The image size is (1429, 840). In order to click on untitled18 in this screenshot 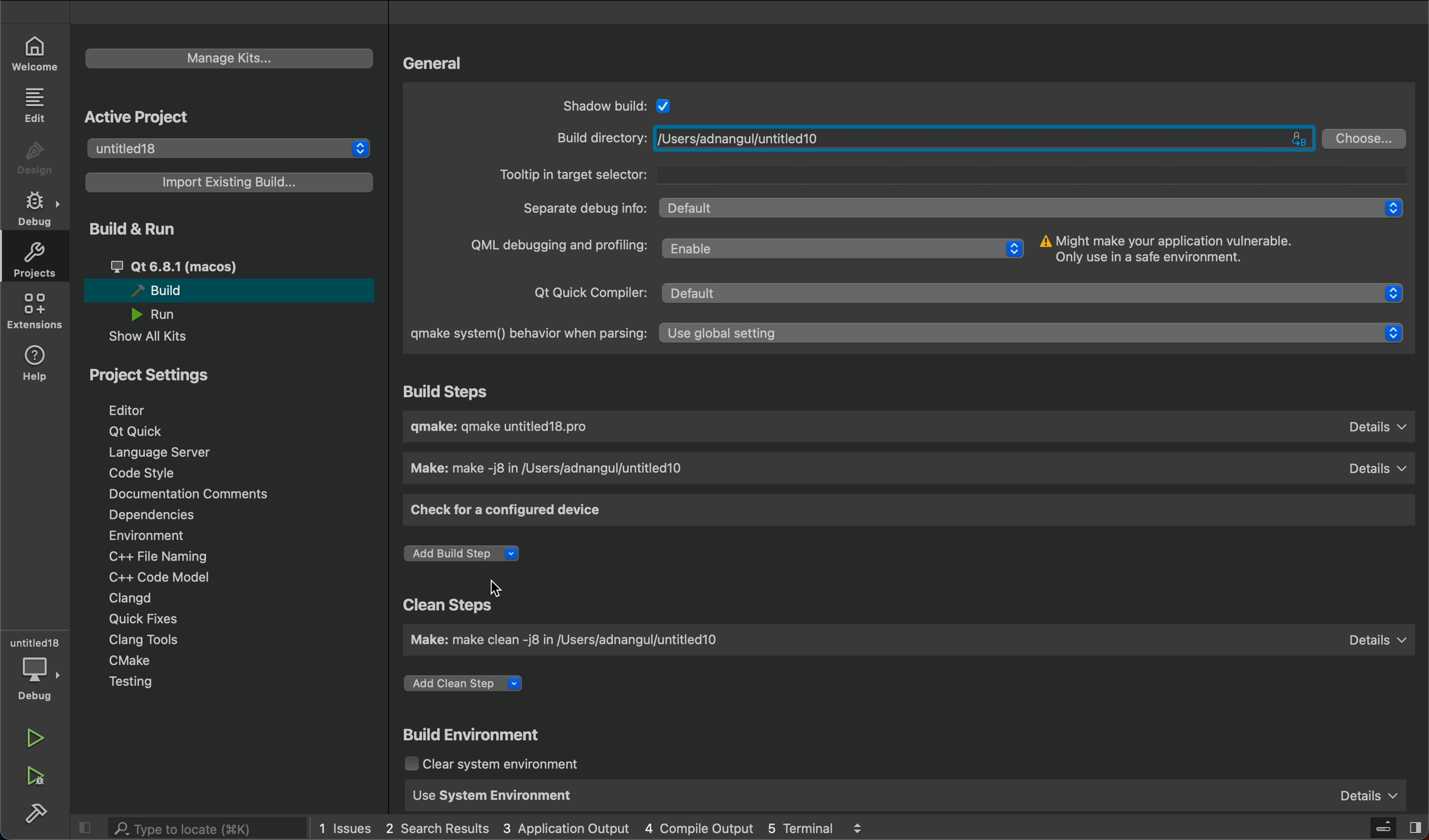, I will do `click(230, 146)`.